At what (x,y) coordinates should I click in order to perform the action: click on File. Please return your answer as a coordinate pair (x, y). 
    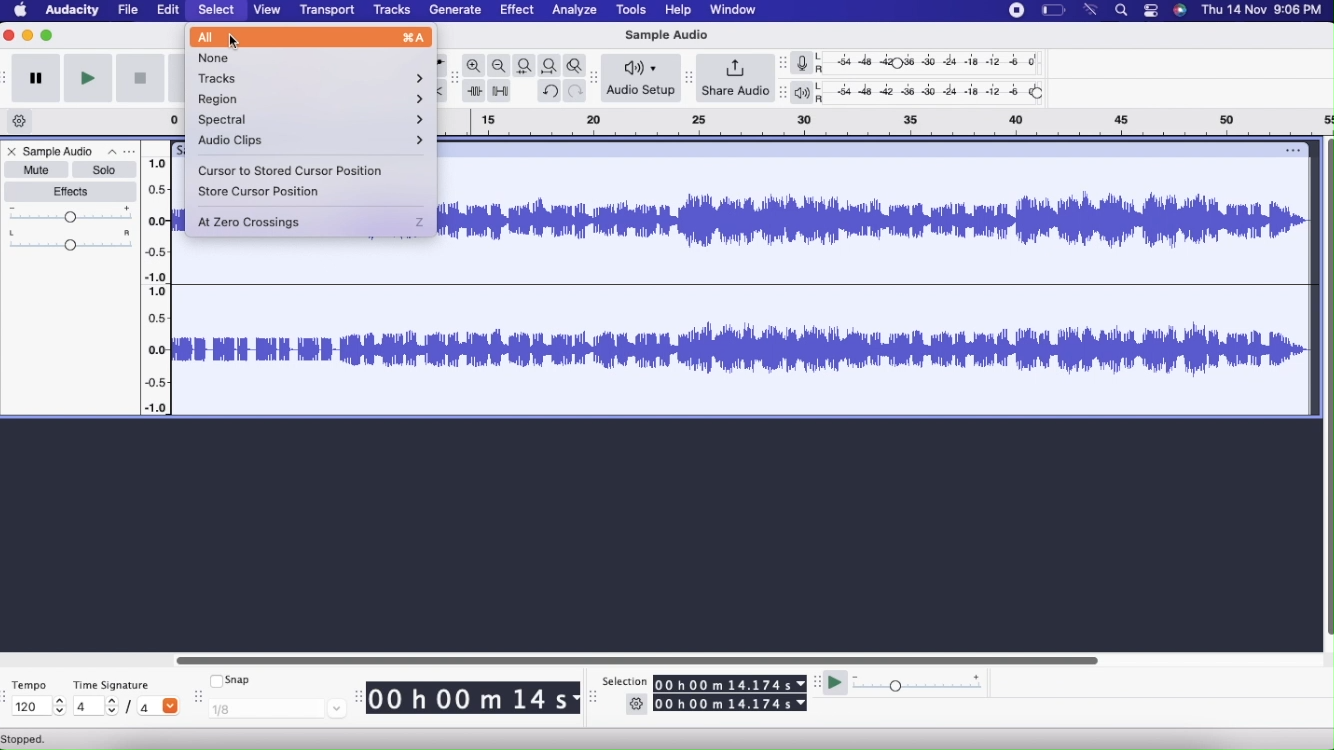
    Looking at the image, I should click on (128, 9).